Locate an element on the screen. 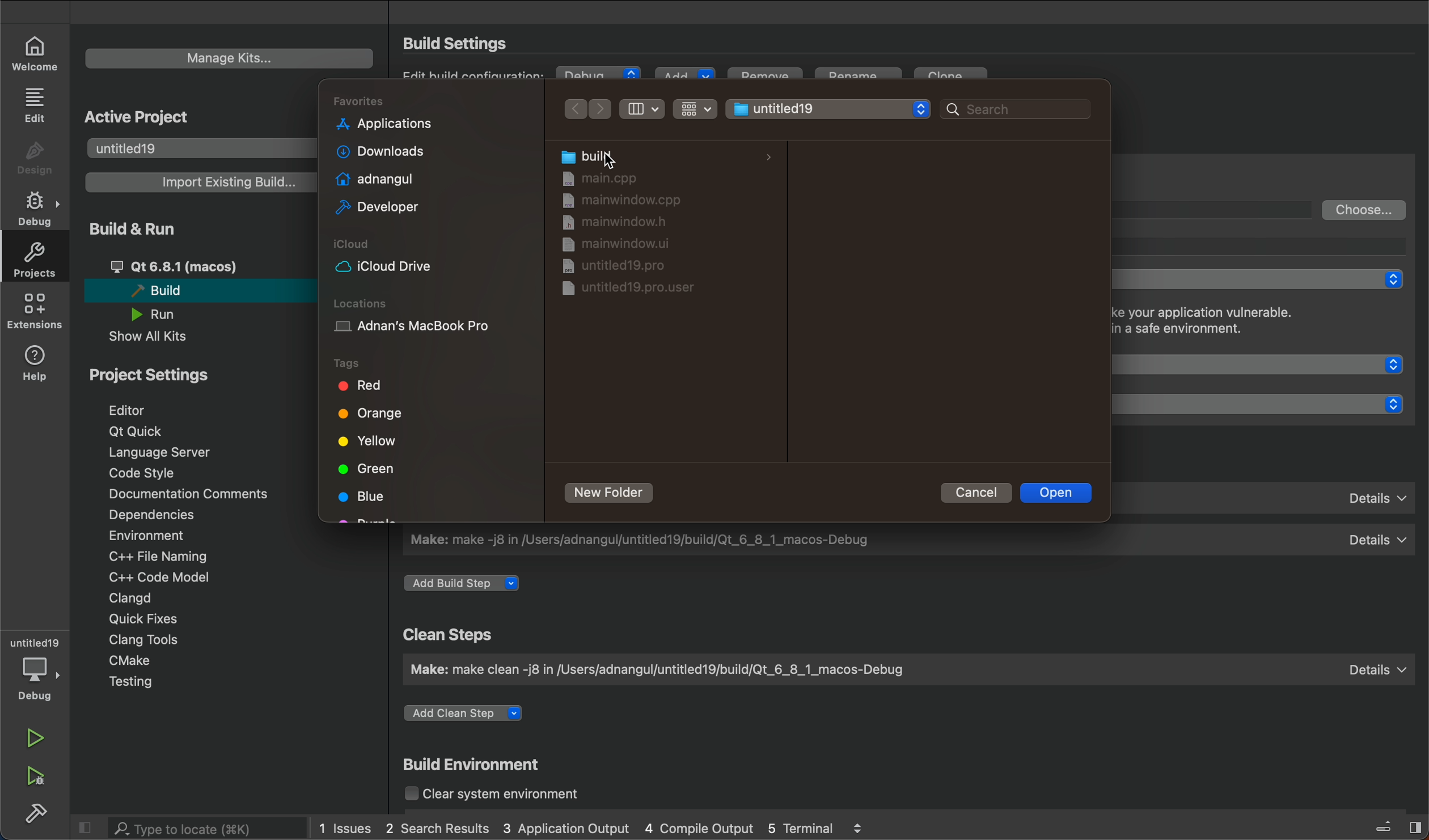  Documentation  is located at coordinates (185, 494).